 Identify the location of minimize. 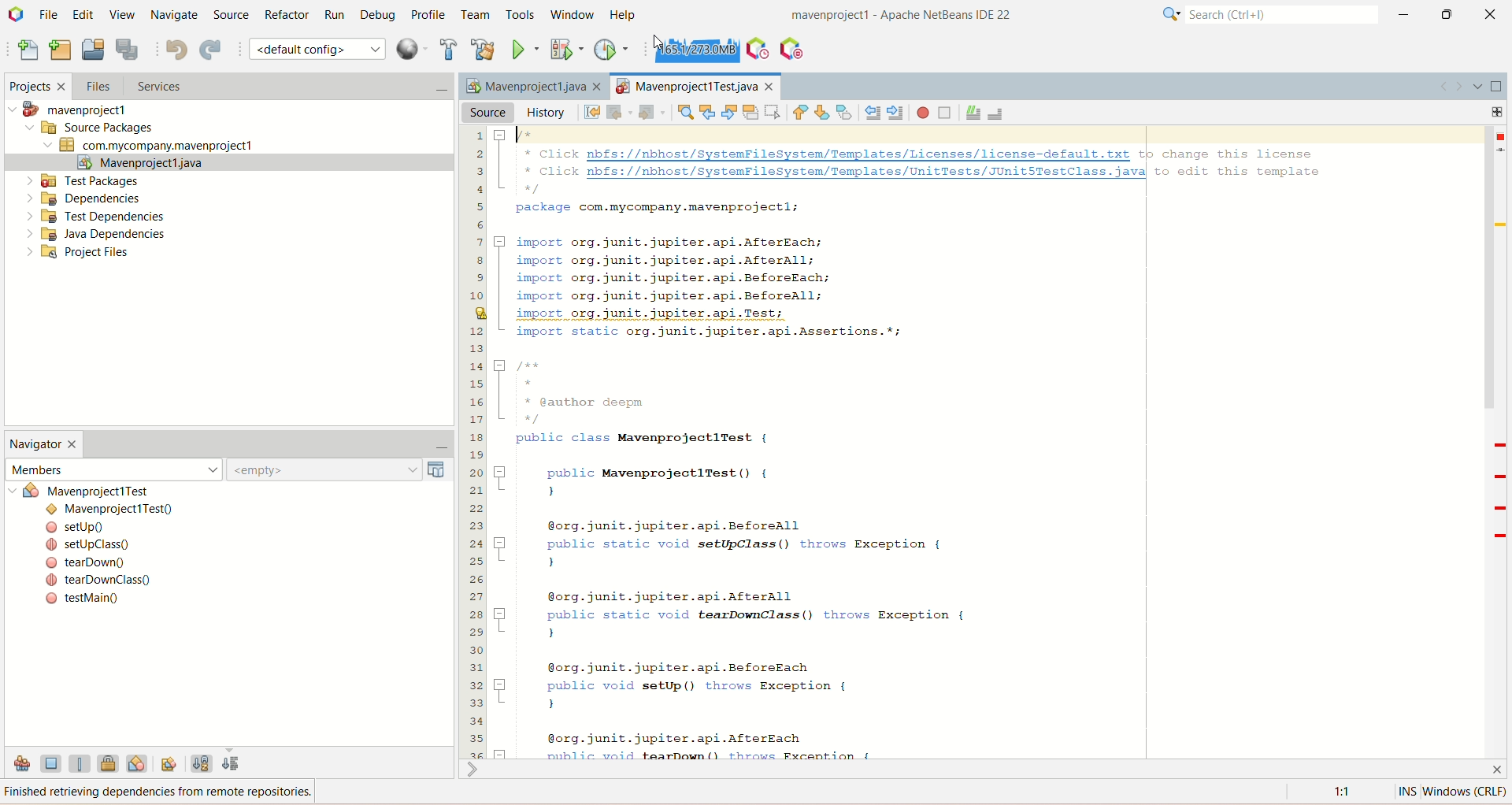
(438, 447).